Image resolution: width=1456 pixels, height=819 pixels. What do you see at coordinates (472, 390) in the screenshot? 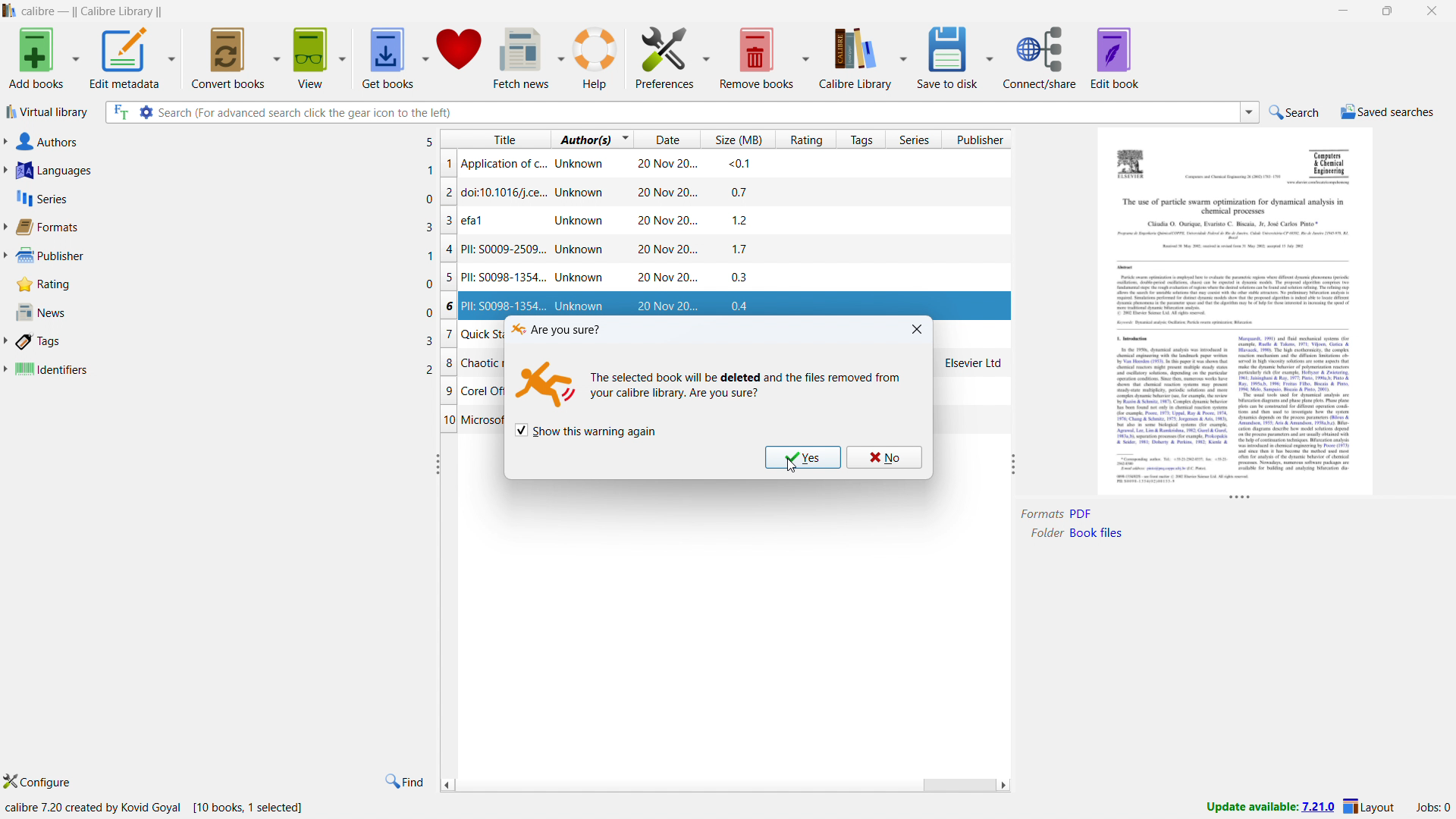
I see `Corel Office Do..` at bounding box center [472, 390].